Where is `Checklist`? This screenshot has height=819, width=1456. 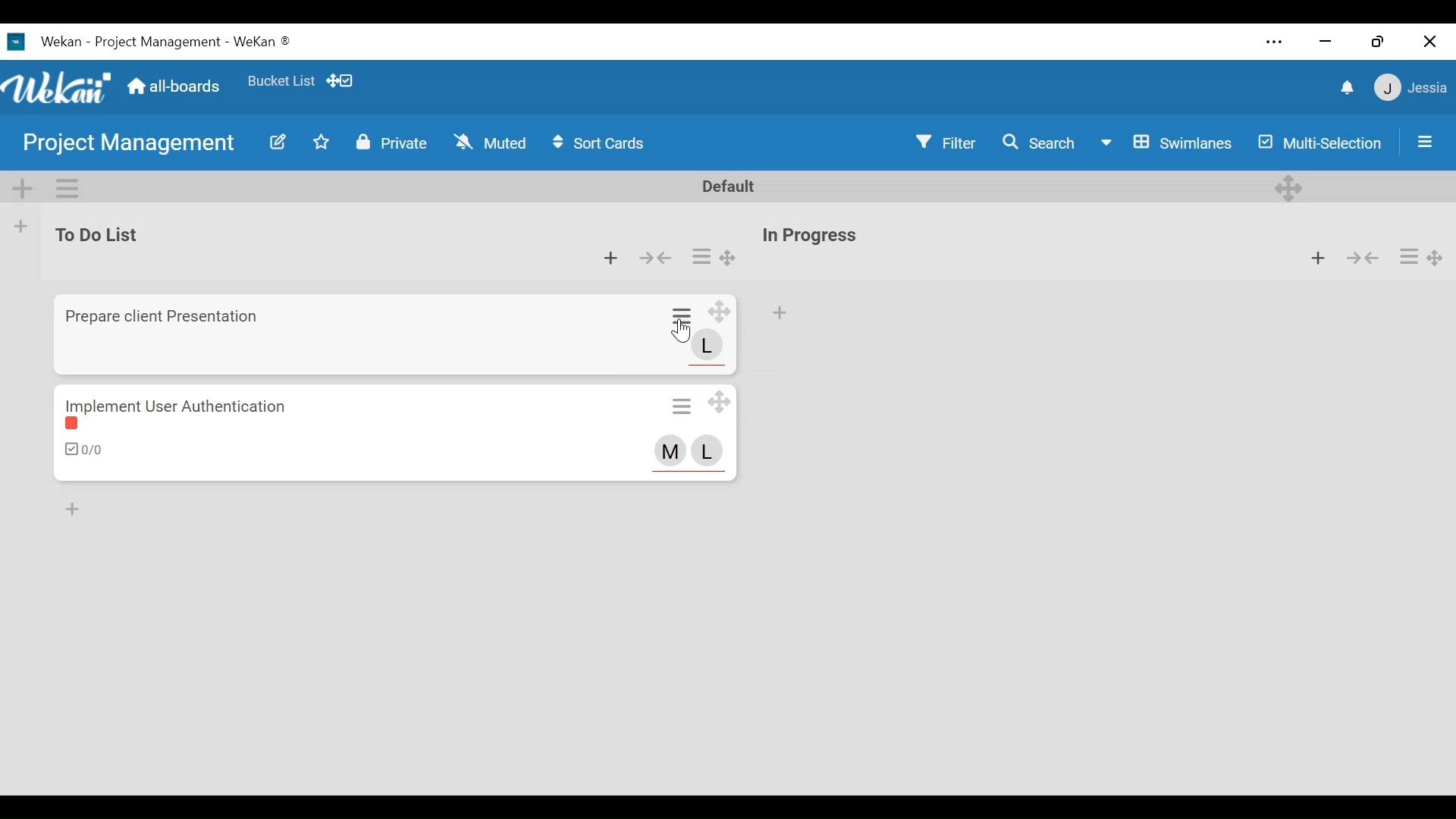
Checklist is located at coordinates (85, 449).